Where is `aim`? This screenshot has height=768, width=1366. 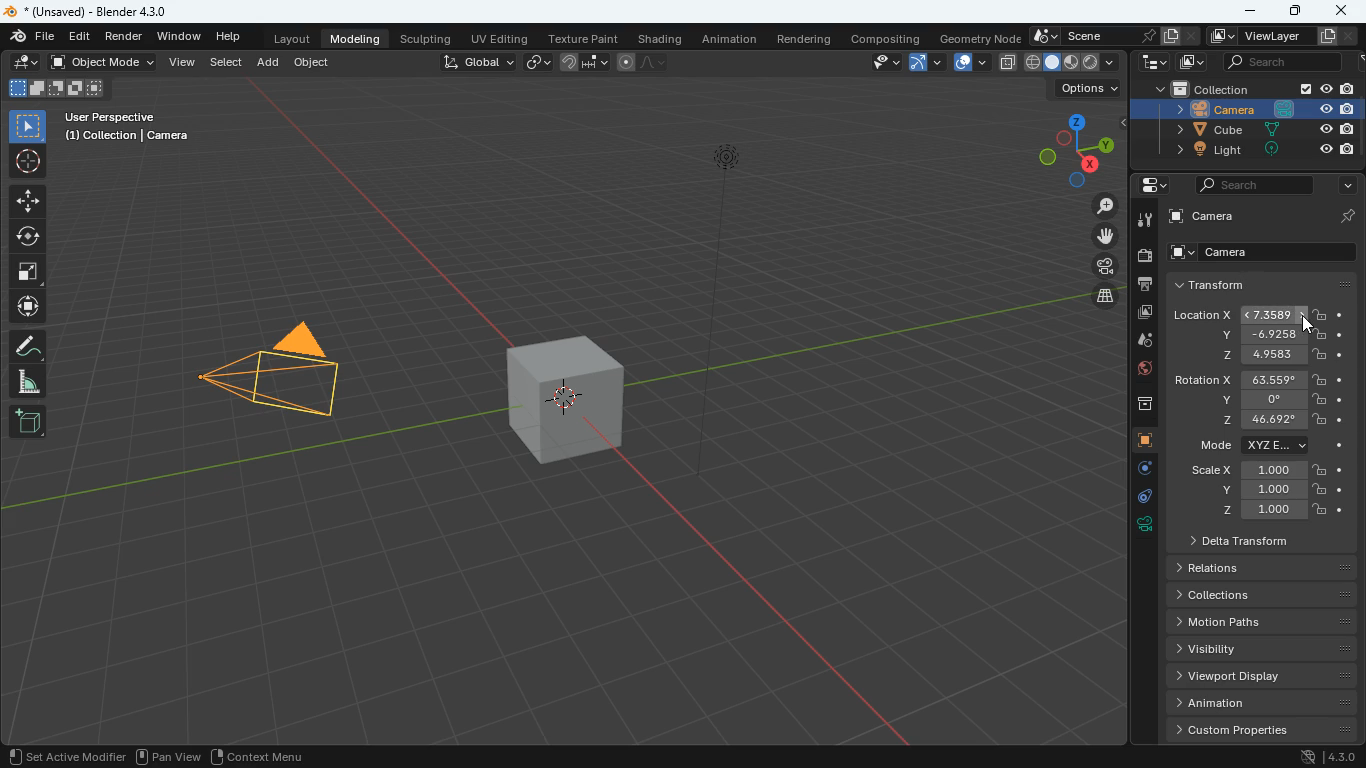 aim is located at coordinates (32, 161).